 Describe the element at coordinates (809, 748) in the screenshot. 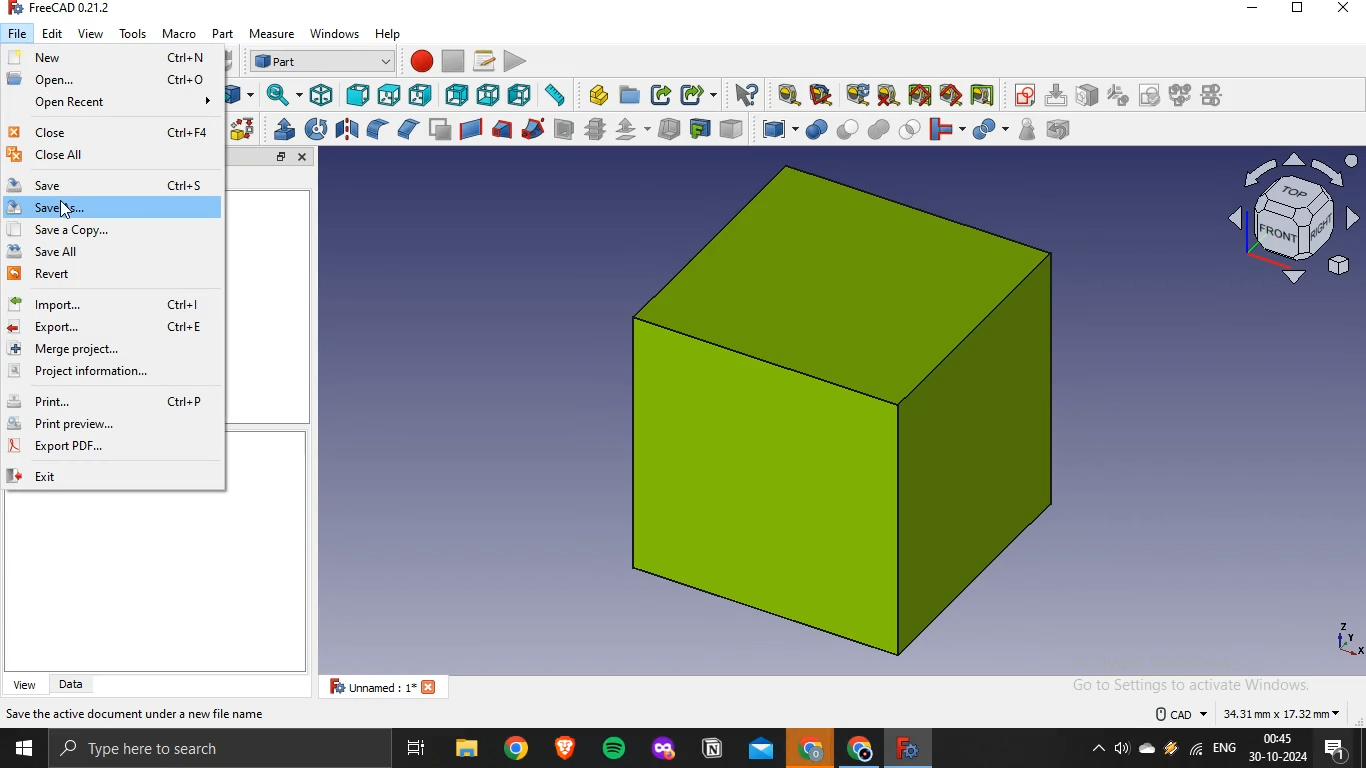

I see `google crome` at that location.